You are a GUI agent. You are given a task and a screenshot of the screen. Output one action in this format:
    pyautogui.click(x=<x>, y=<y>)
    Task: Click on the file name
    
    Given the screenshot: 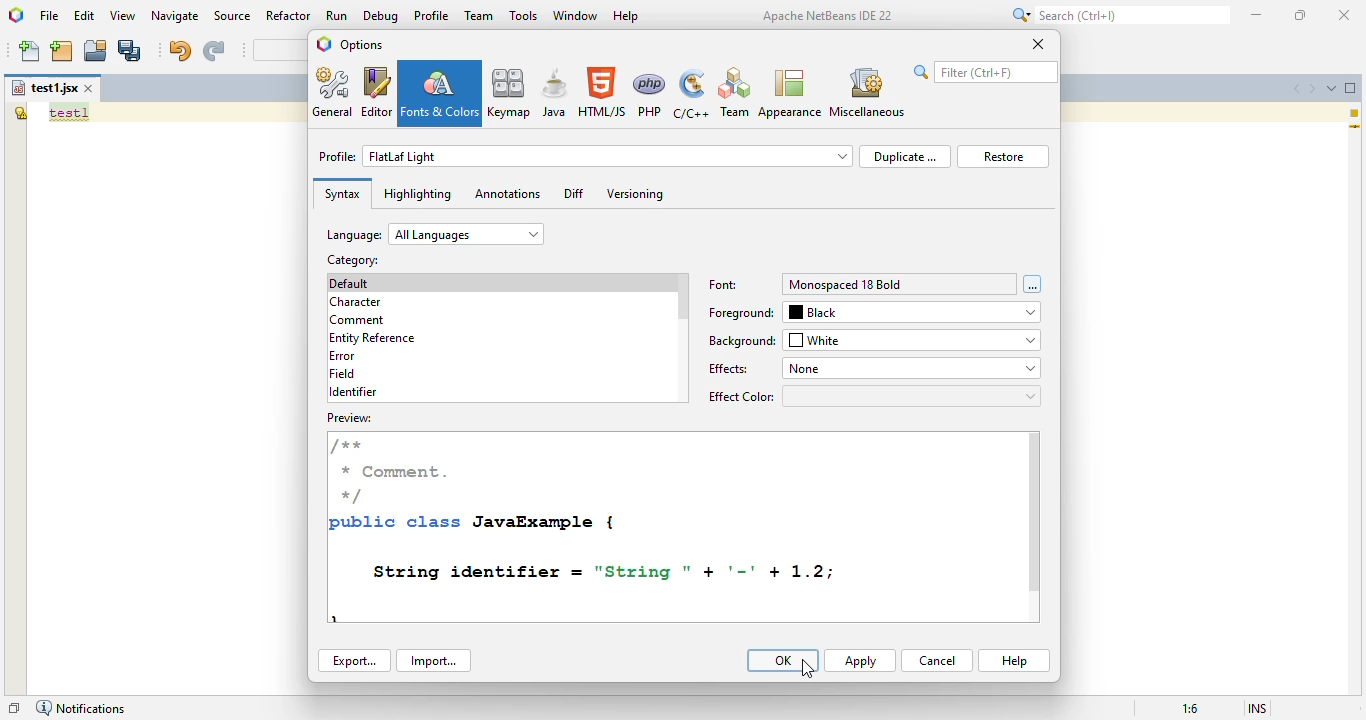 What is the action you would take?
    pyautogui.click(x=44, y=88)
    